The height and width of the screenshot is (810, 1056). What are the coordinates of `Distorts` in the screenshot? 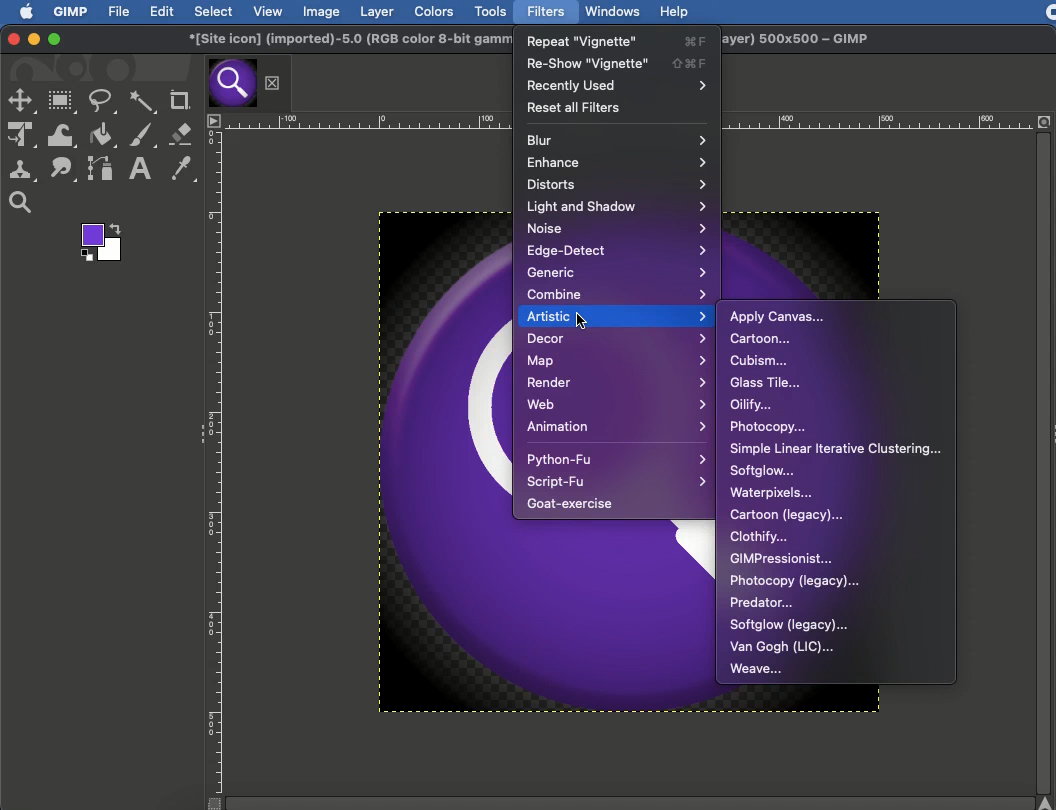 It's located at (619, 183).